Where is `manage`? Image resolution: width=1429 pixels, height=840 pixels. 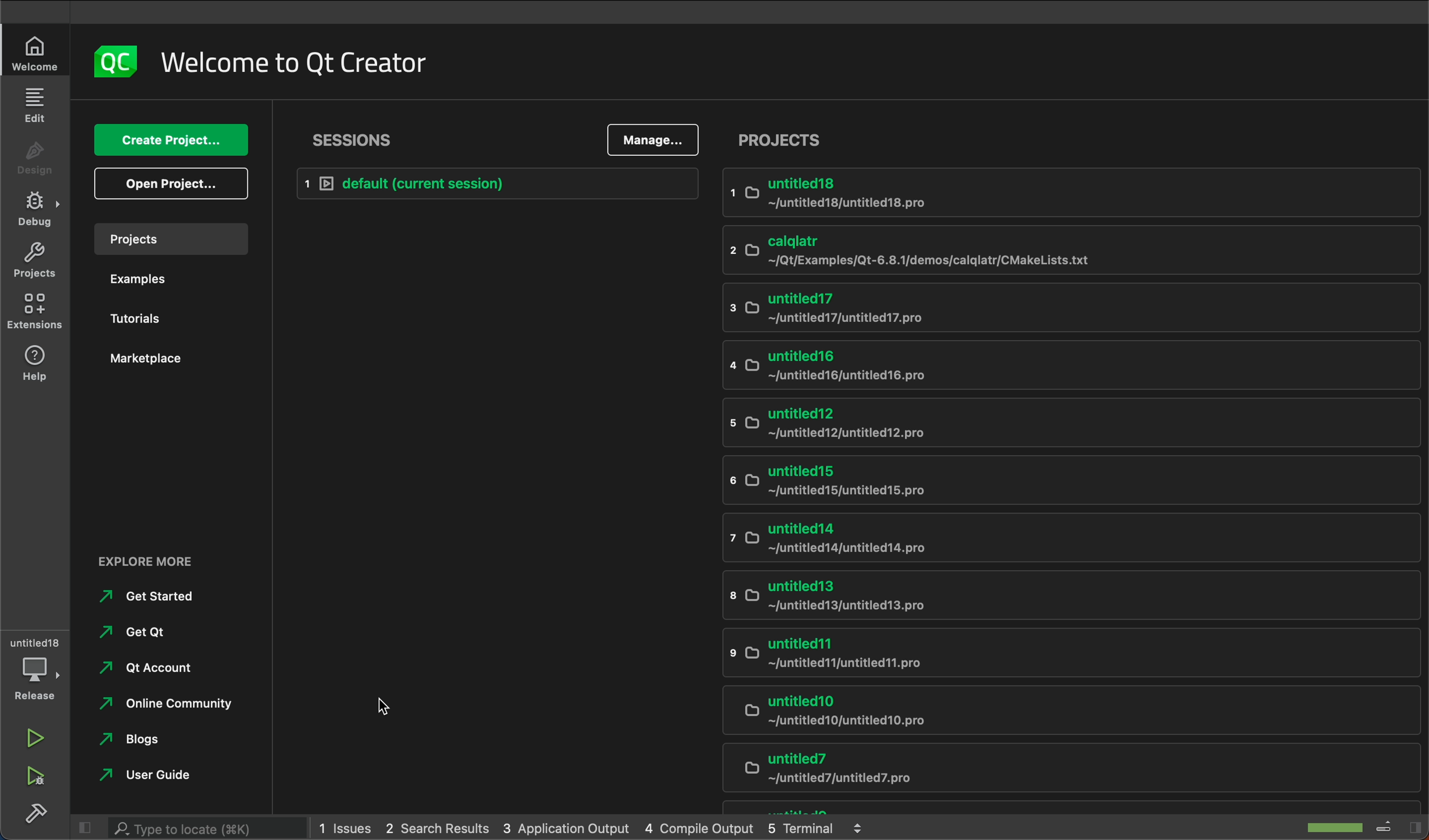
manage is located at coordinates (657, 139).